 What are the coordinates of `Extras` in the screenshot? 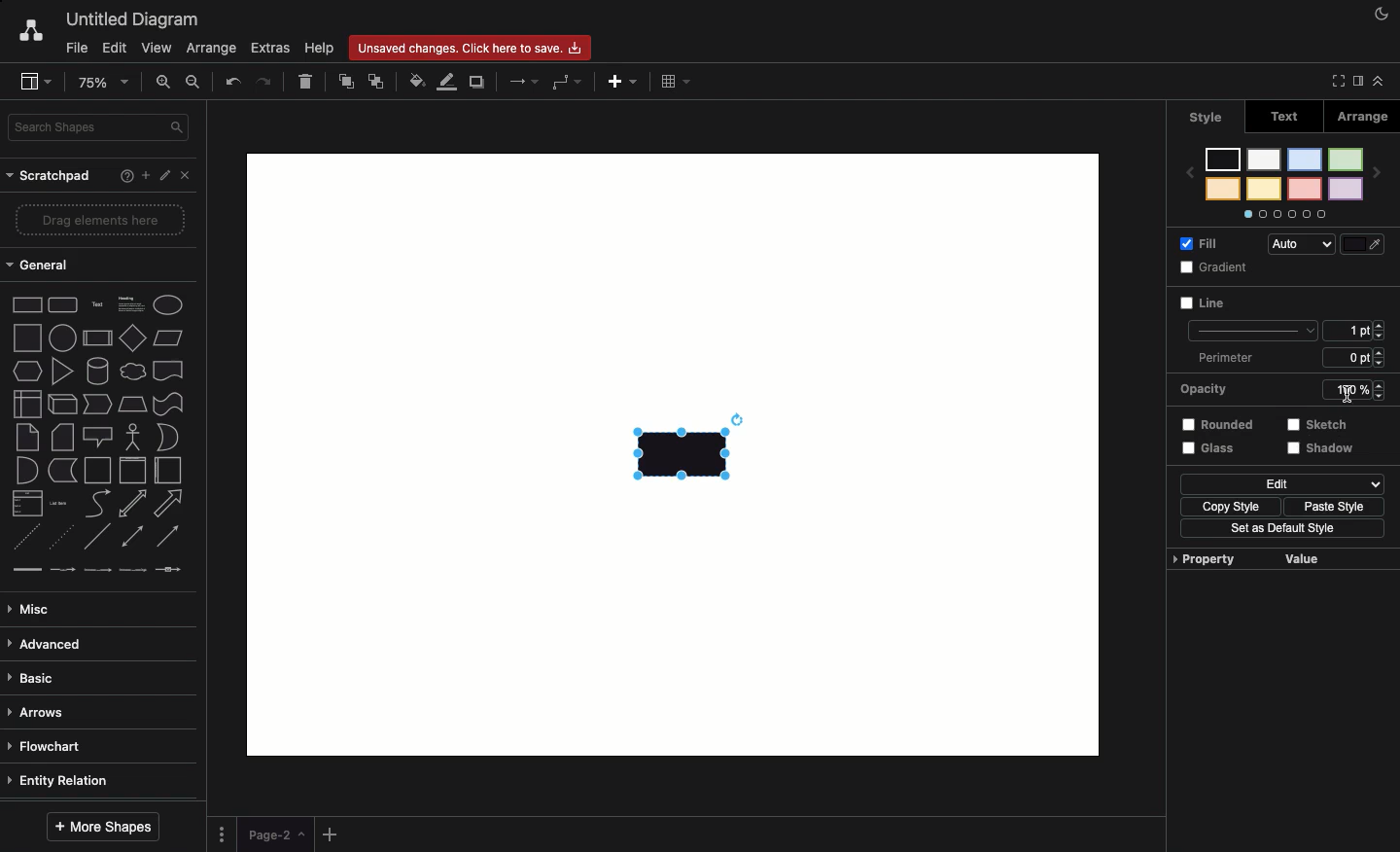 It's located at (268, 48).